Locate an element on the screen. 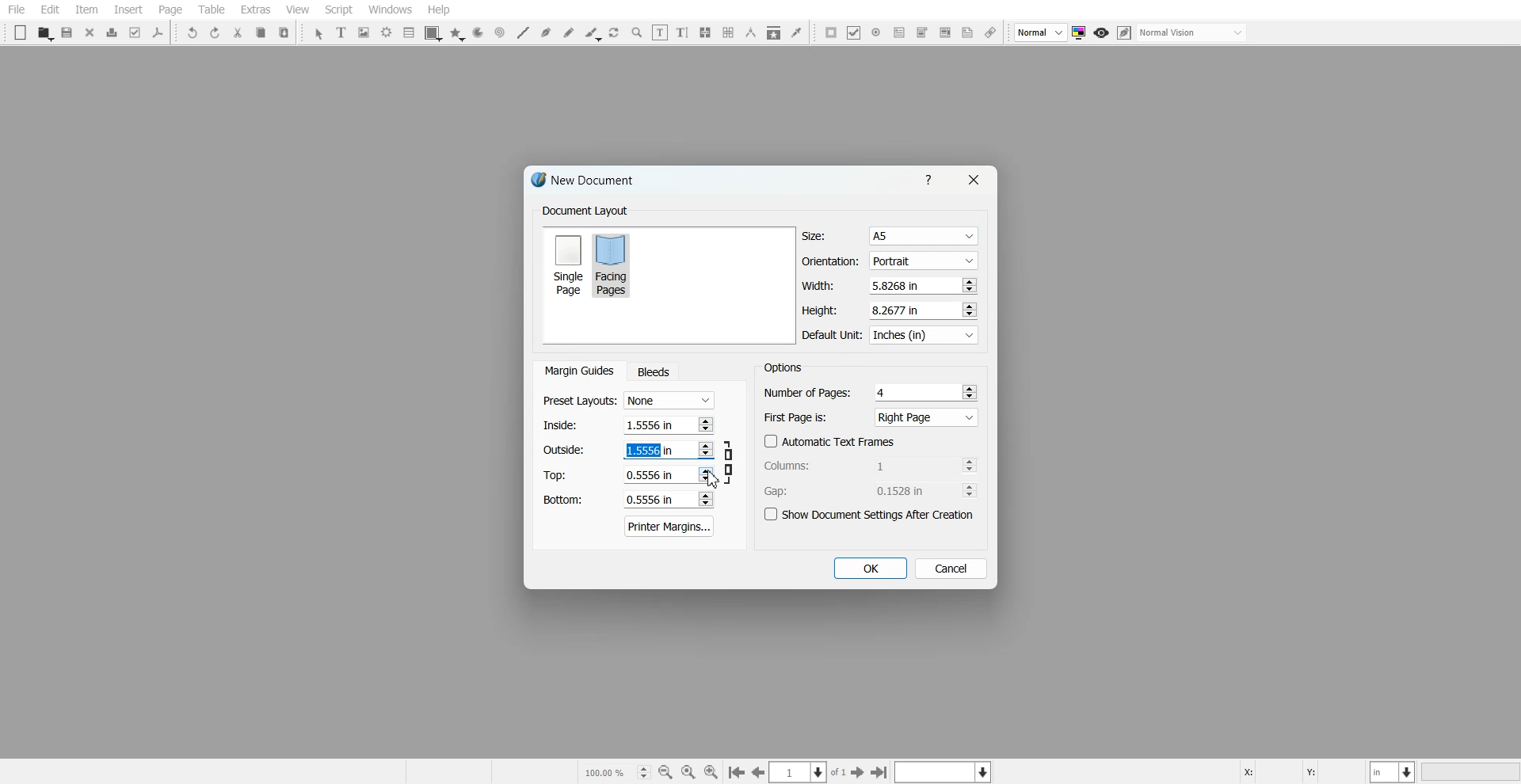 The width and height of the screenshot is (1521, 784). Facing Pages is located at coordinates (614, 265).